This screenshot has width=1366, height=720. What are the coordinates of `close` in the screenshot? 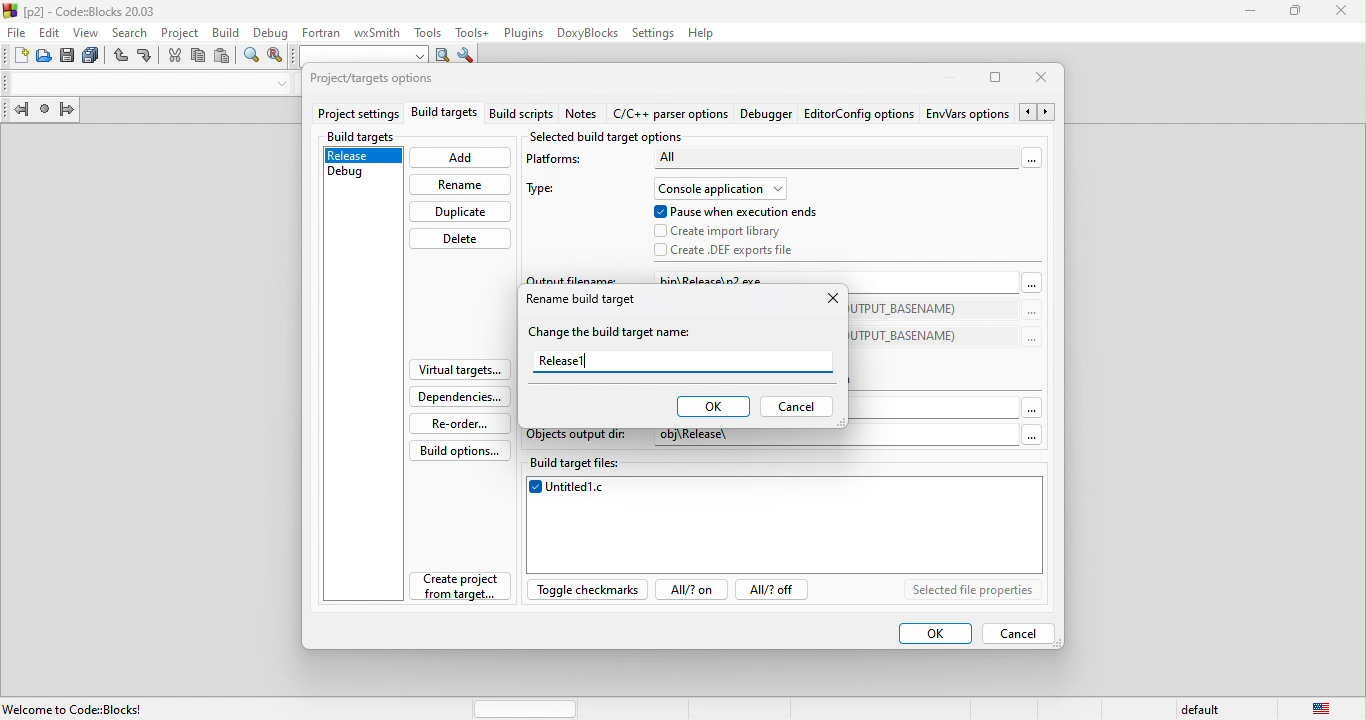 It's located at (1339, 12).